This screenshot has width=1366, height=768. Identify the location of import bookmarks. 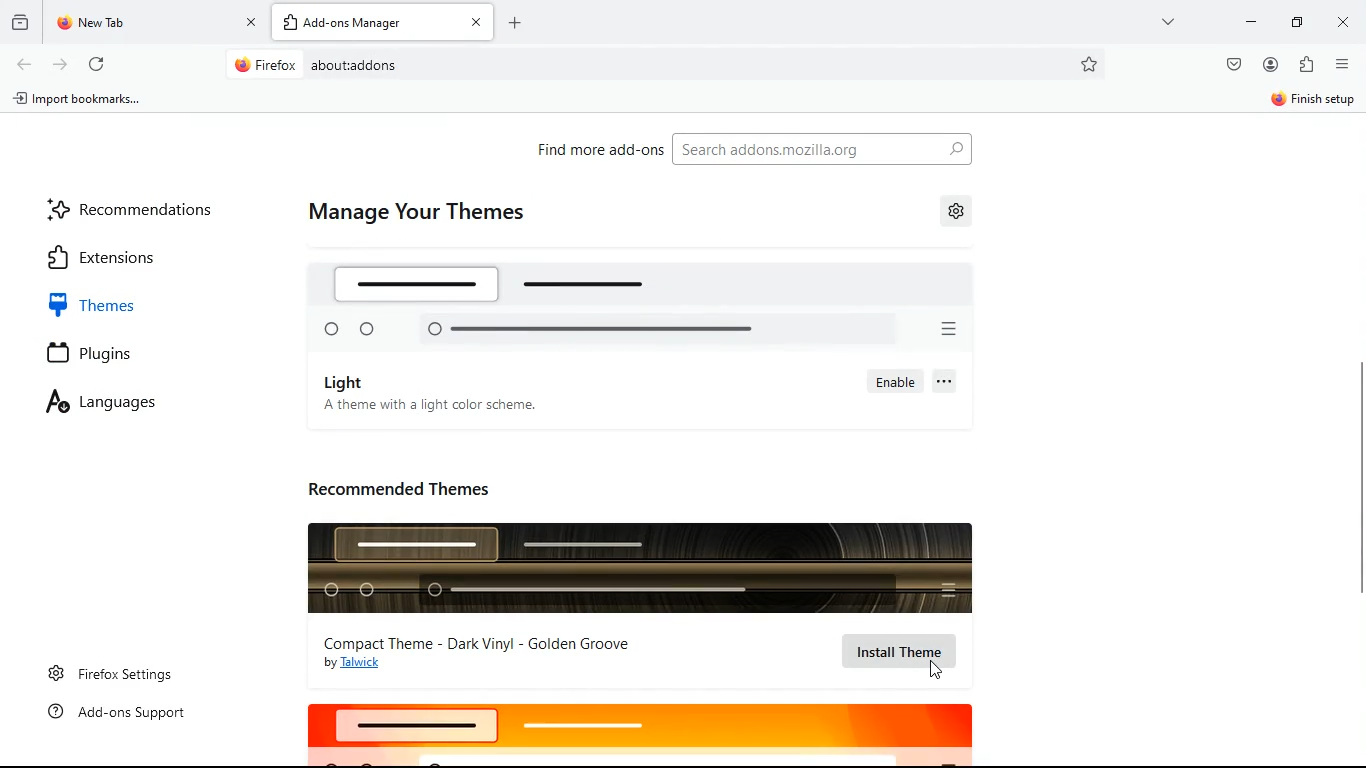
(84, 100).